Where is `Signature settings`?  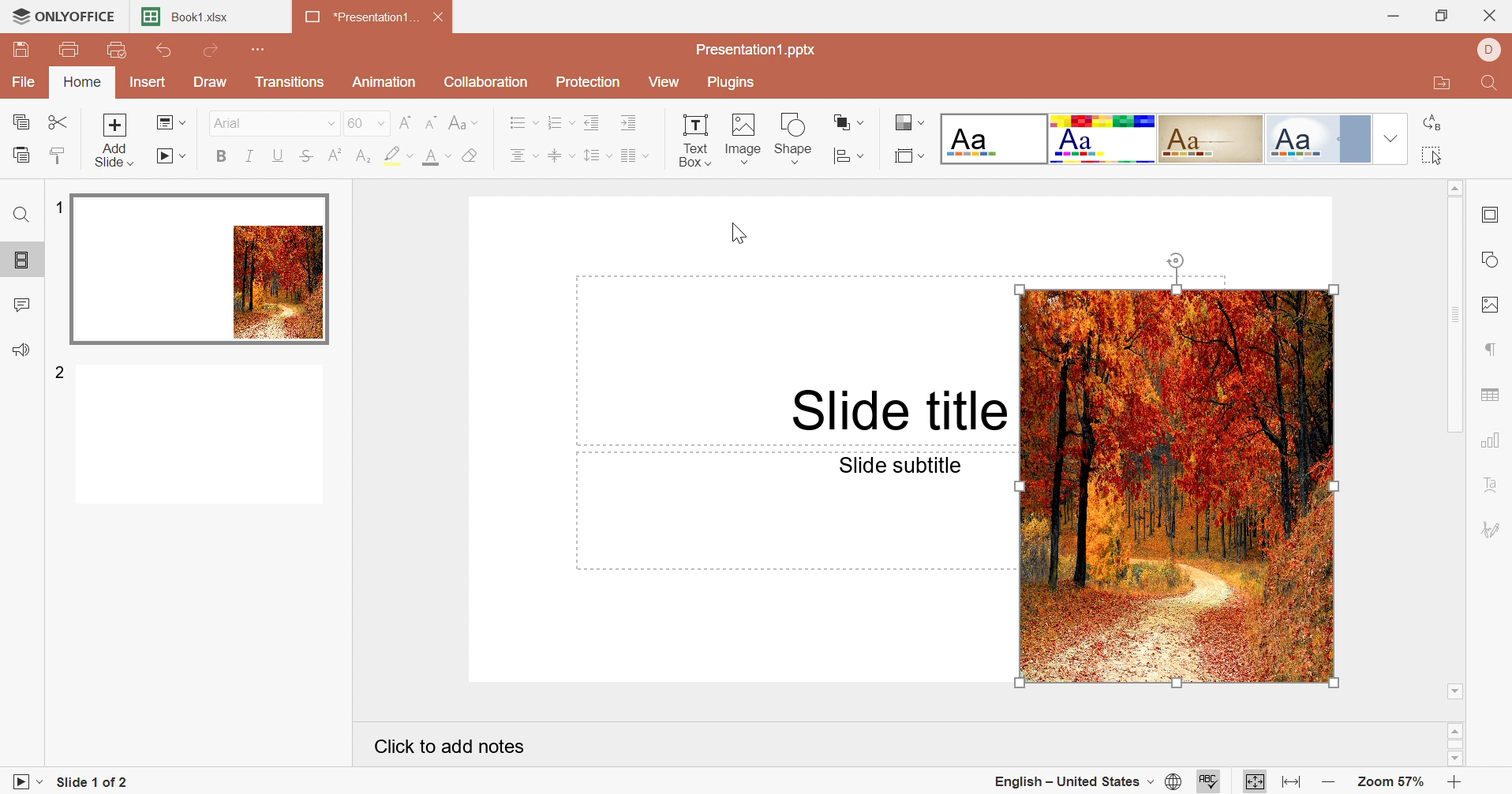 Signature settings is located at coordinates (1493, 530).